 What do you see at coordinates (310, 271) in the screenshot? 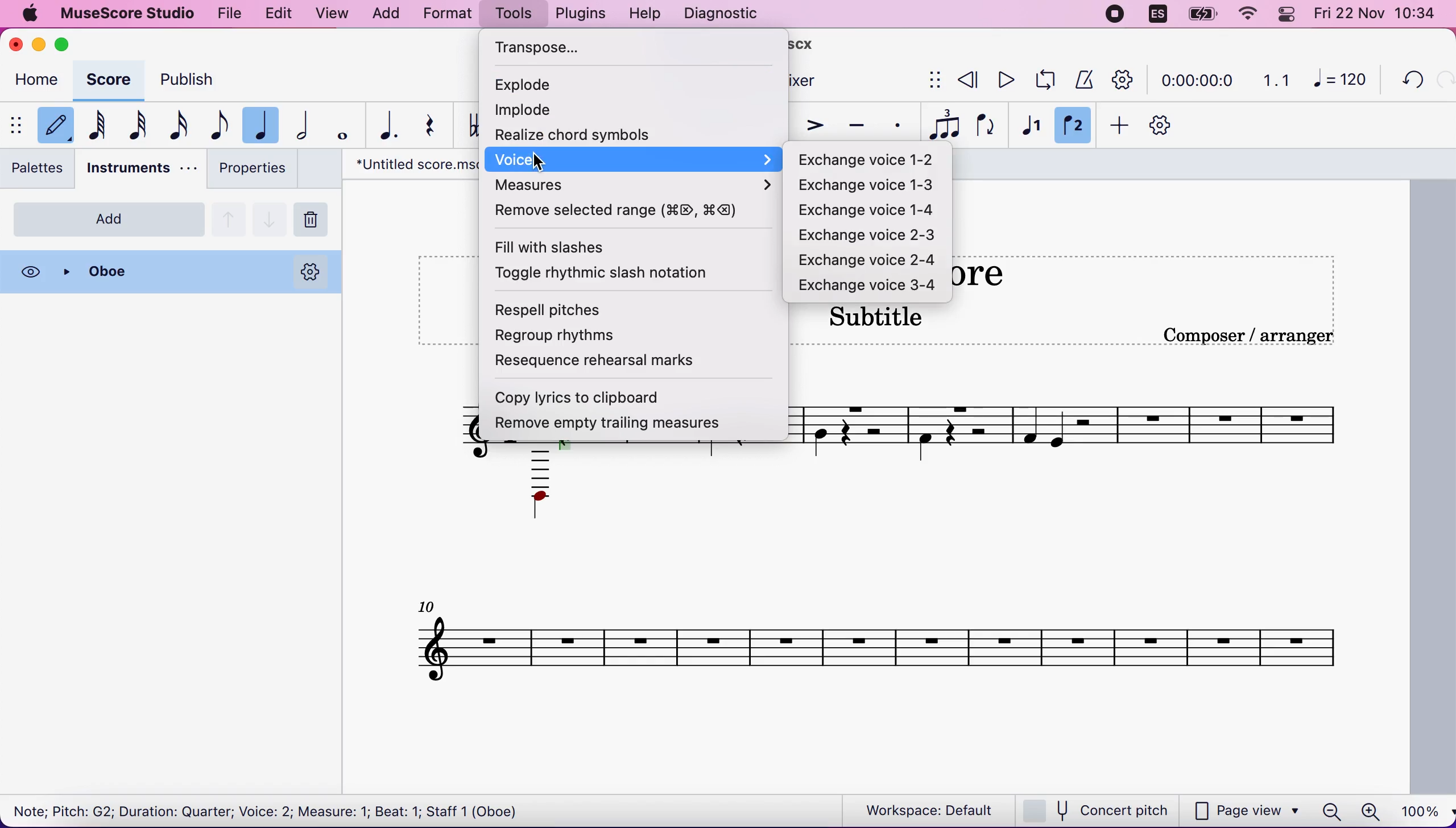
I see `options` at bounding box center [310, 271].